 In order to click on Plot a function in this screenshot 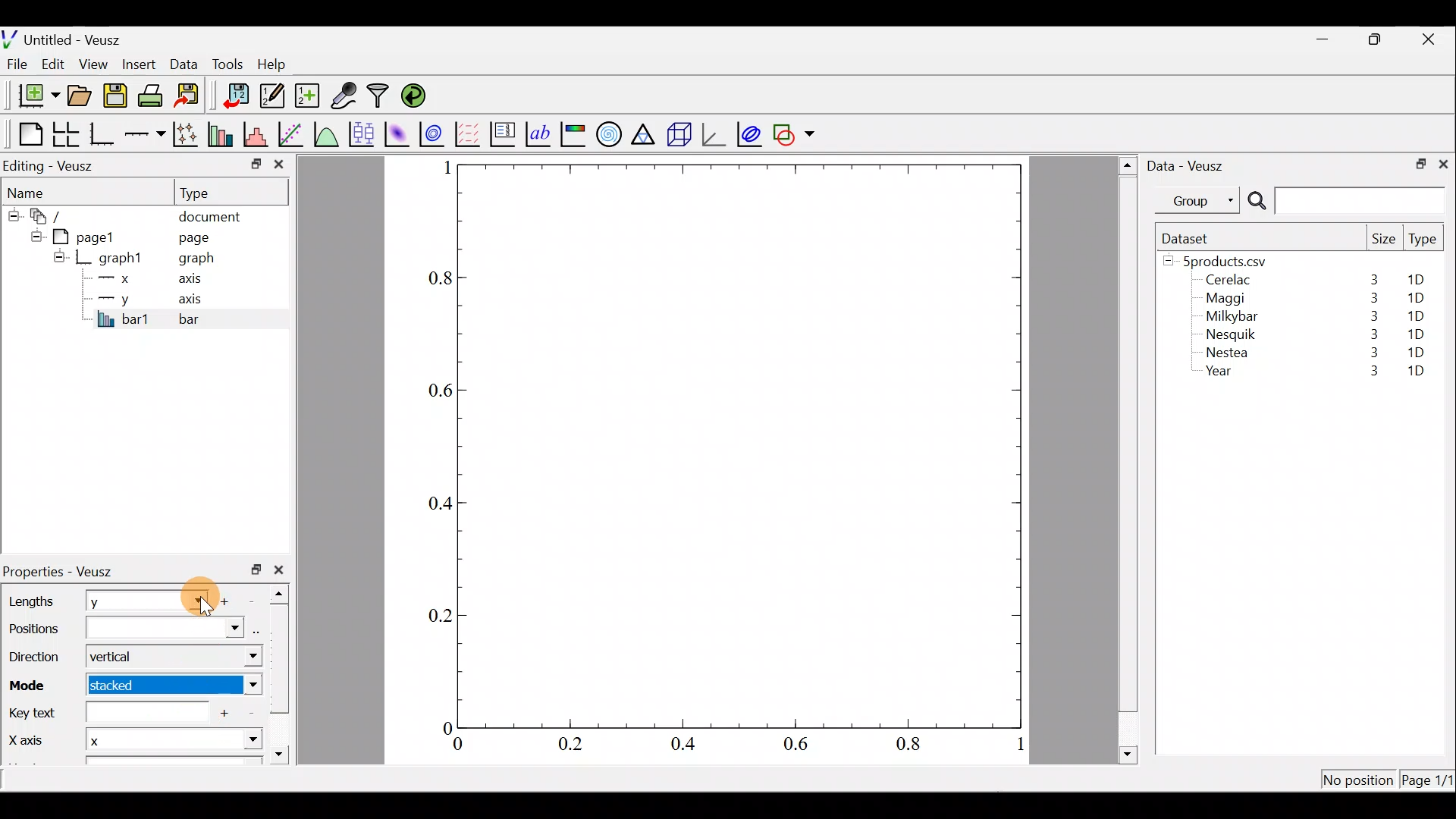, I will do `click(327, 133)`.